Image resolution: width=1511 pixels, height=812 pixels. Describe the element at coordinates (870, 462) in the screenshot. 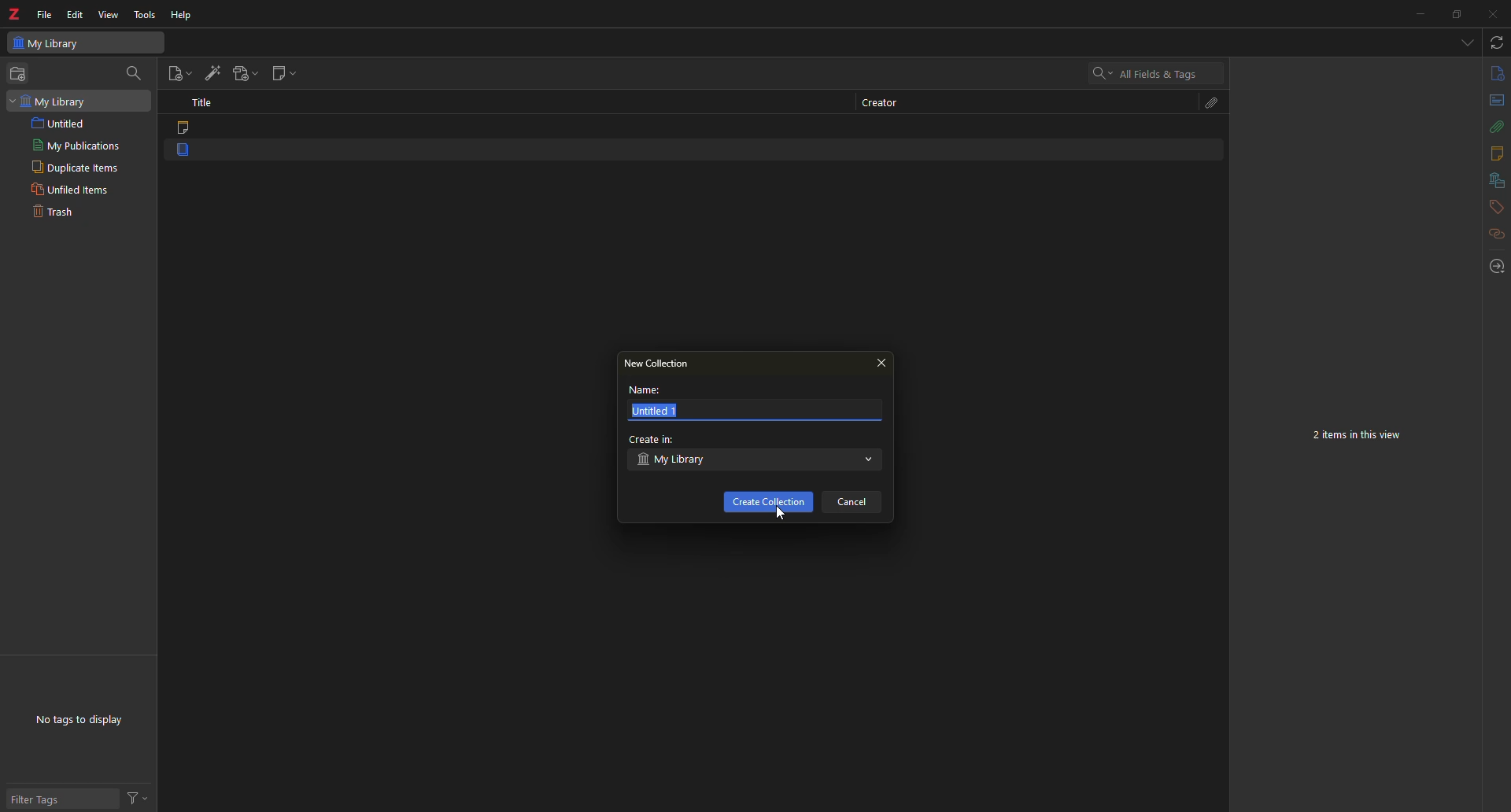

I see `drop down` at that location.